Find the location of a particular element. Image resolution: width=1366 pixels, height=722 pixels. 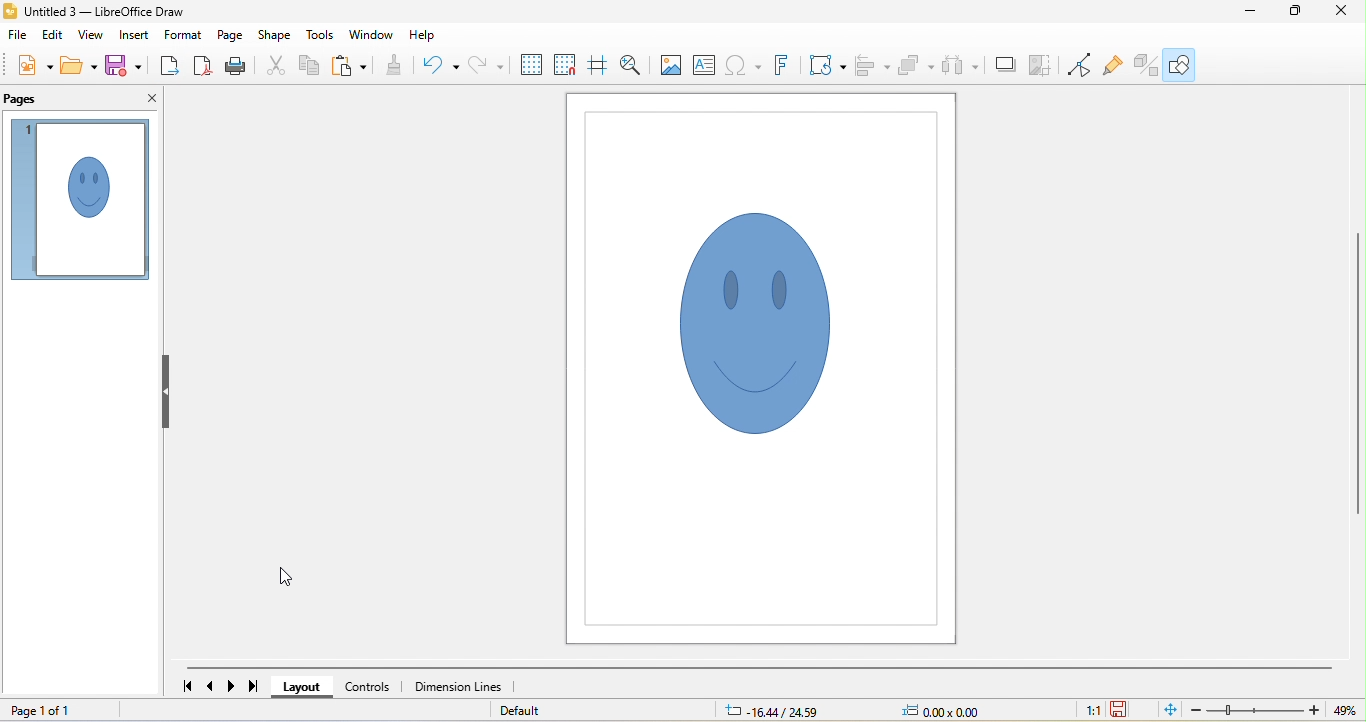

smiley is located at coordinates (755, 318).